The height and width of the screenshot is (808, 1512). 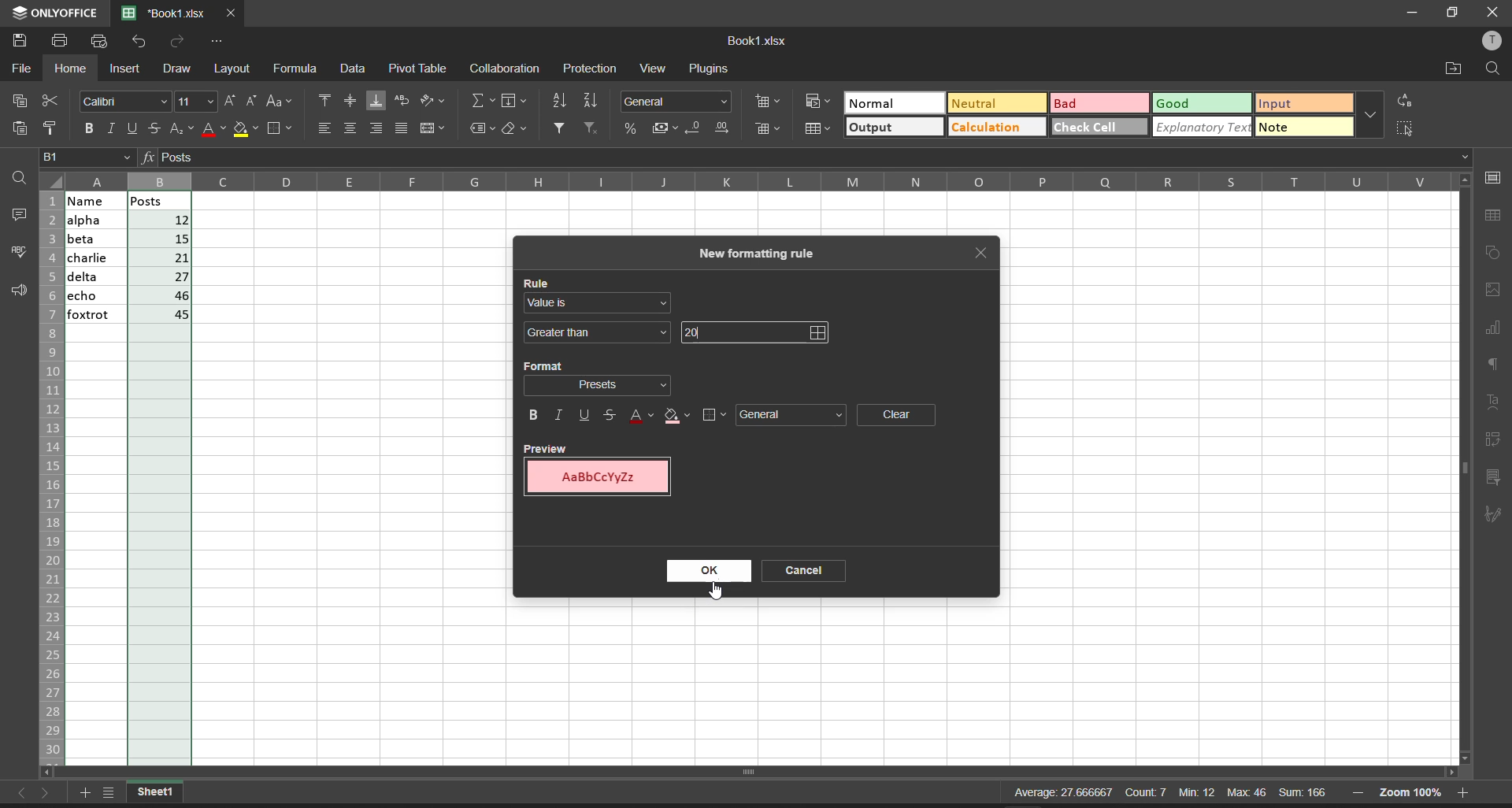 What do you see at coordinates (99, 42) in the screenshot?
I see `quick print` at bounding box center [99, 42].